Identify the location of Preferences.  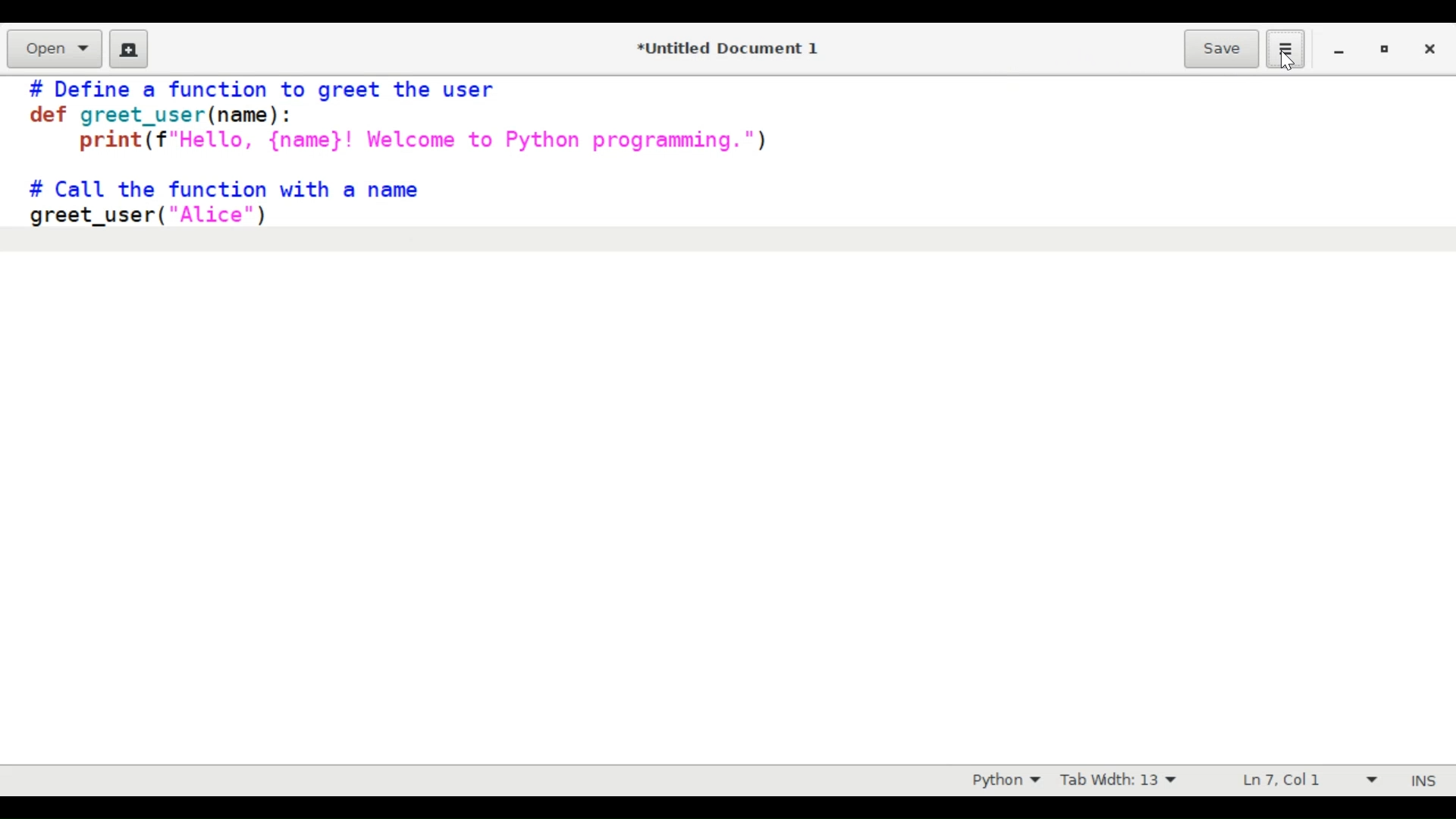
(1288, 48).